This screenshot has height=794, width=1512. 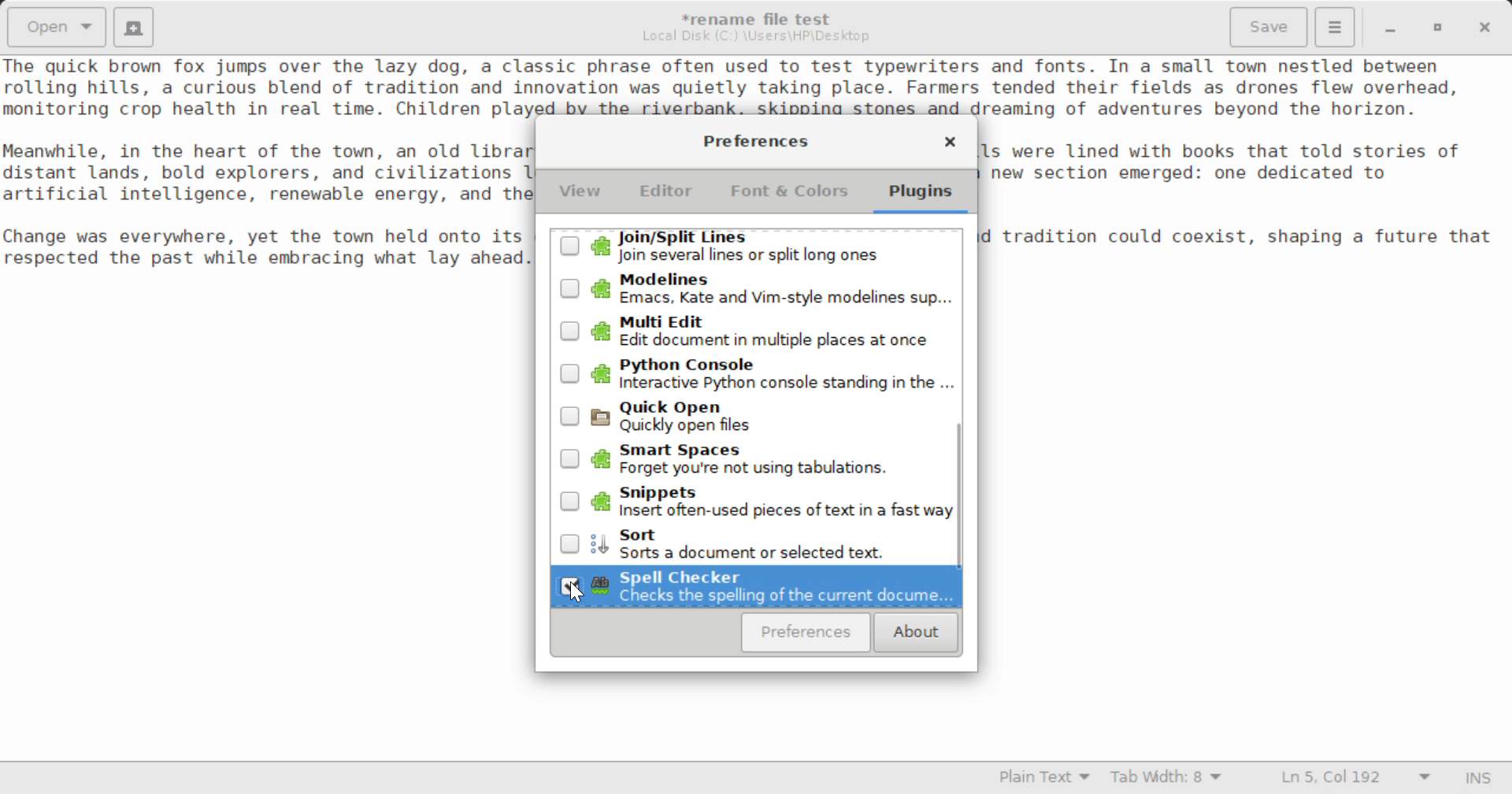 I want to click on Multi Edit Plugin Button Unselected, so click(x=755, y=331).